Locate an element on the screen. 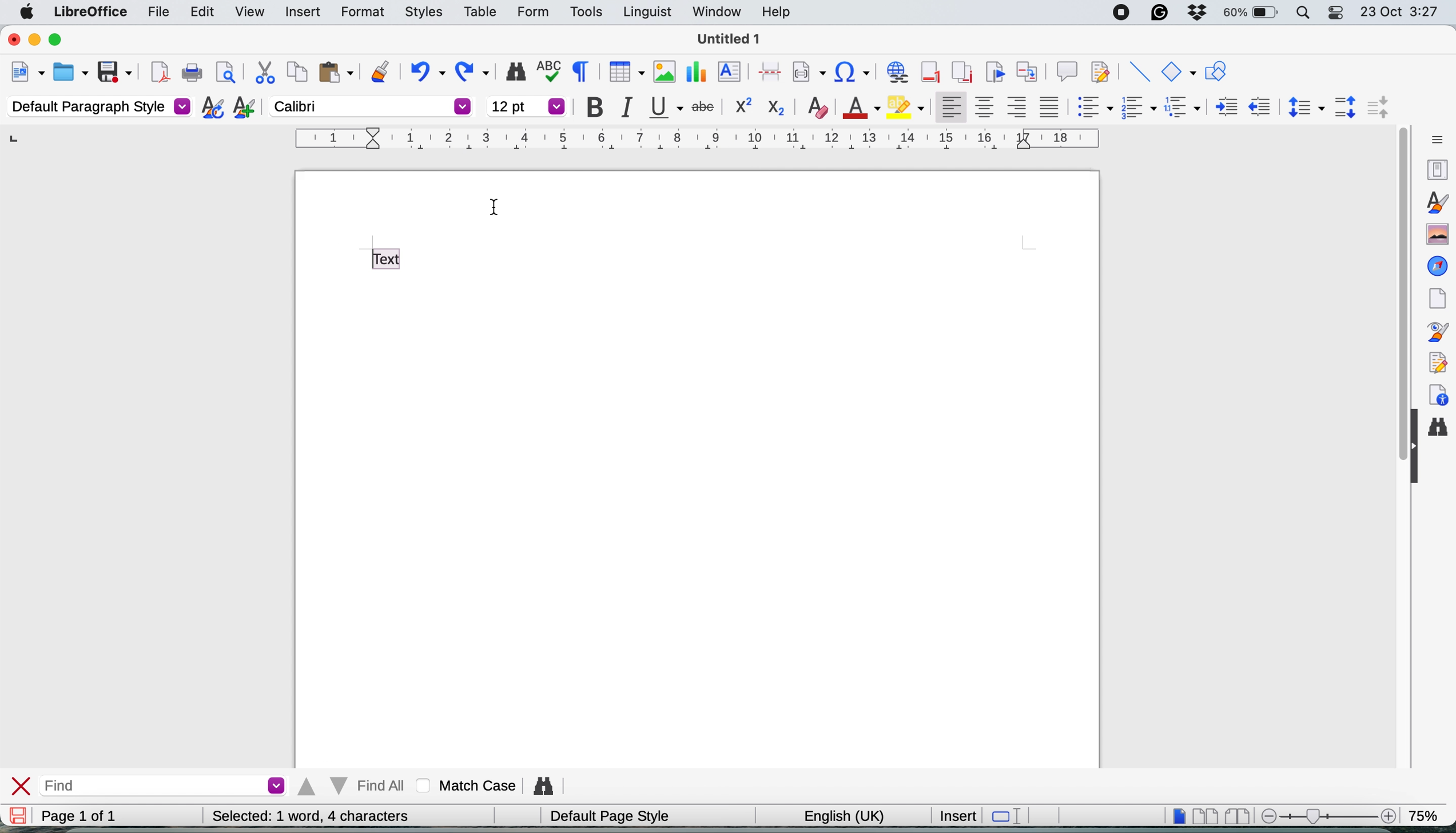 The width and height of the screenshot is (1456, 833). text with changed font is located at coordinates (390, 258).